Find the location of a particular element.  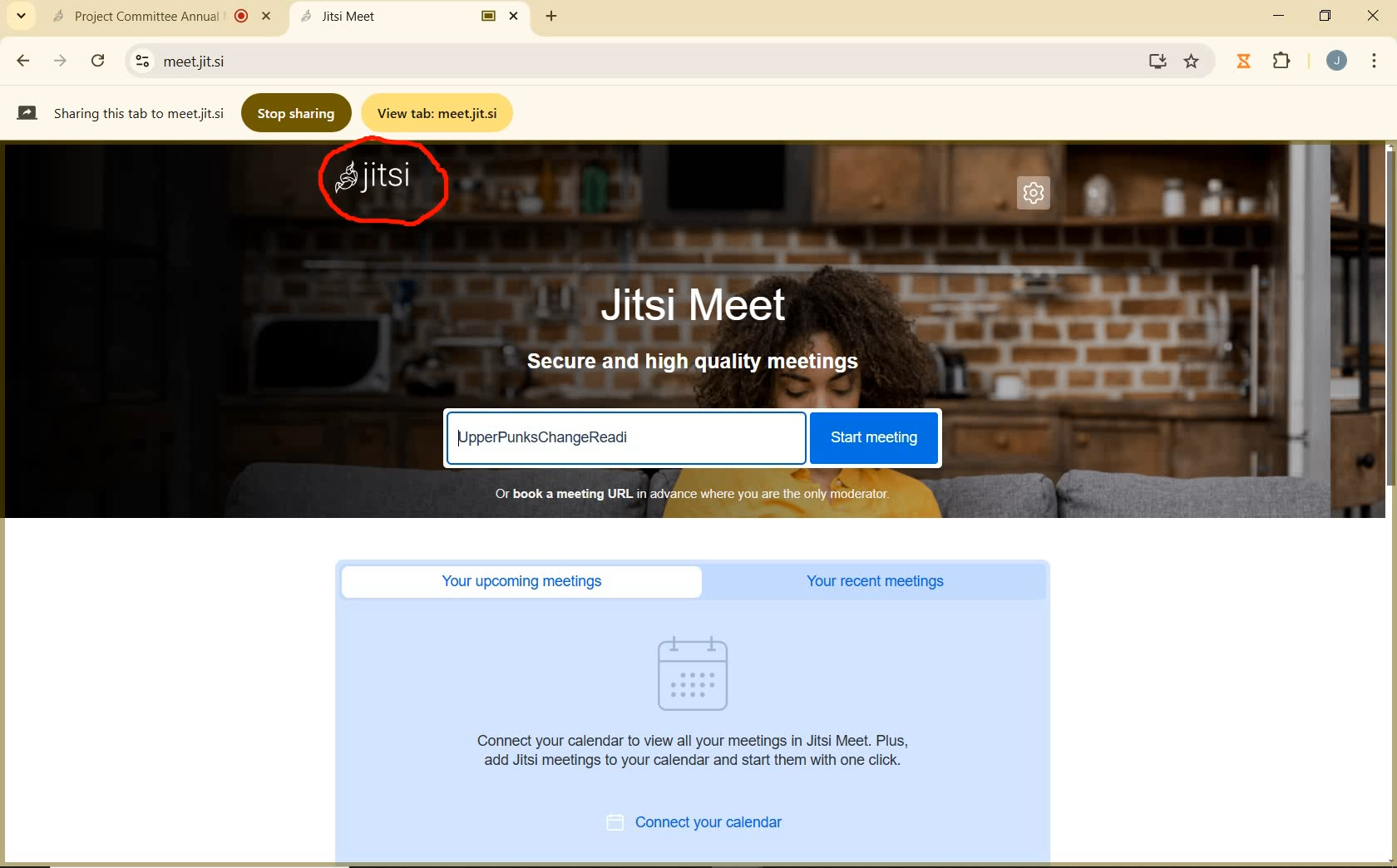

reload is located at coordinates (97, 58).